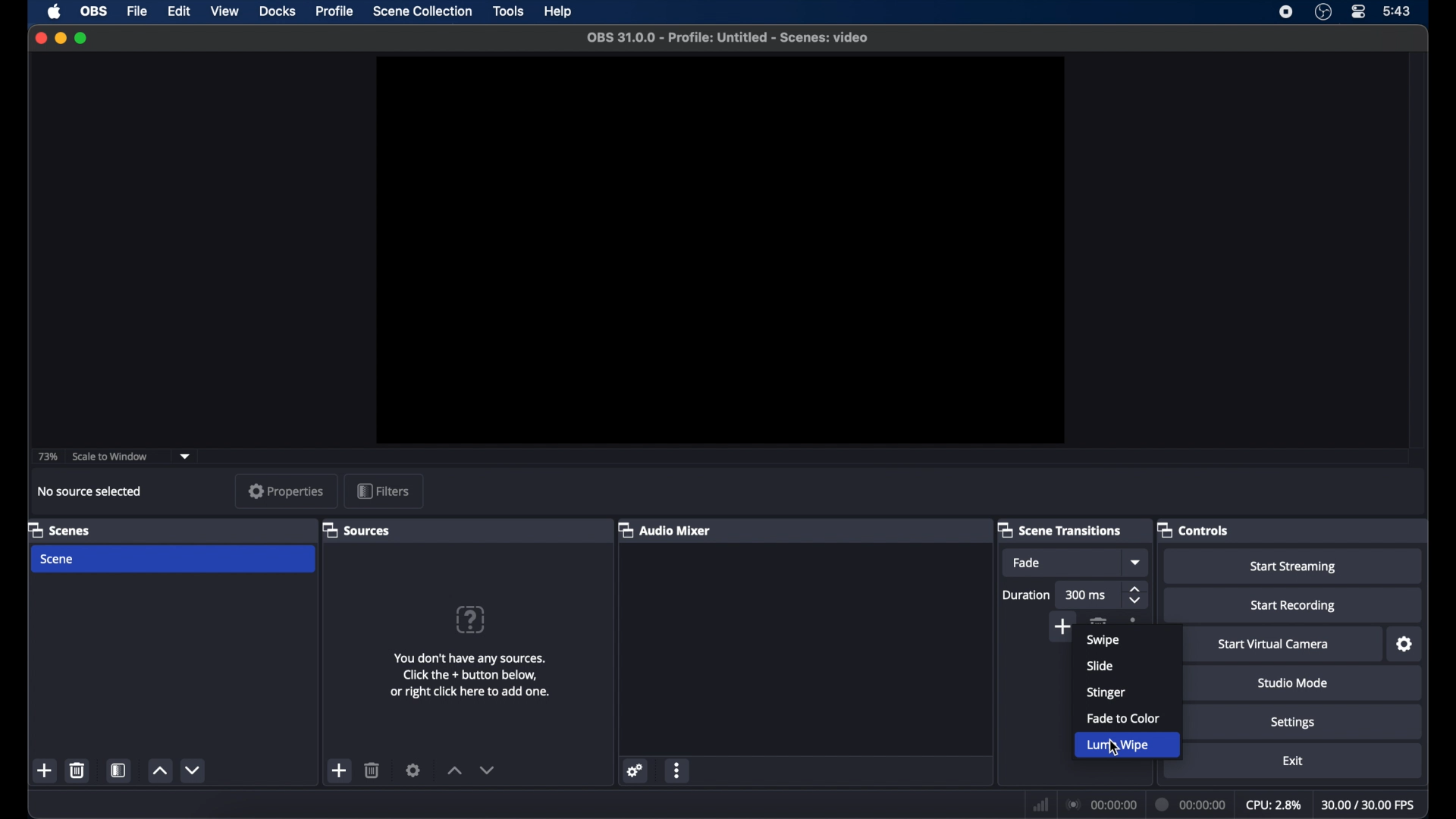 This screenshot has width=1456, height=819. What do you see at coordinates (1100, 665) in the screenshot?
I see `slide` at bounding box center [1100, 665].